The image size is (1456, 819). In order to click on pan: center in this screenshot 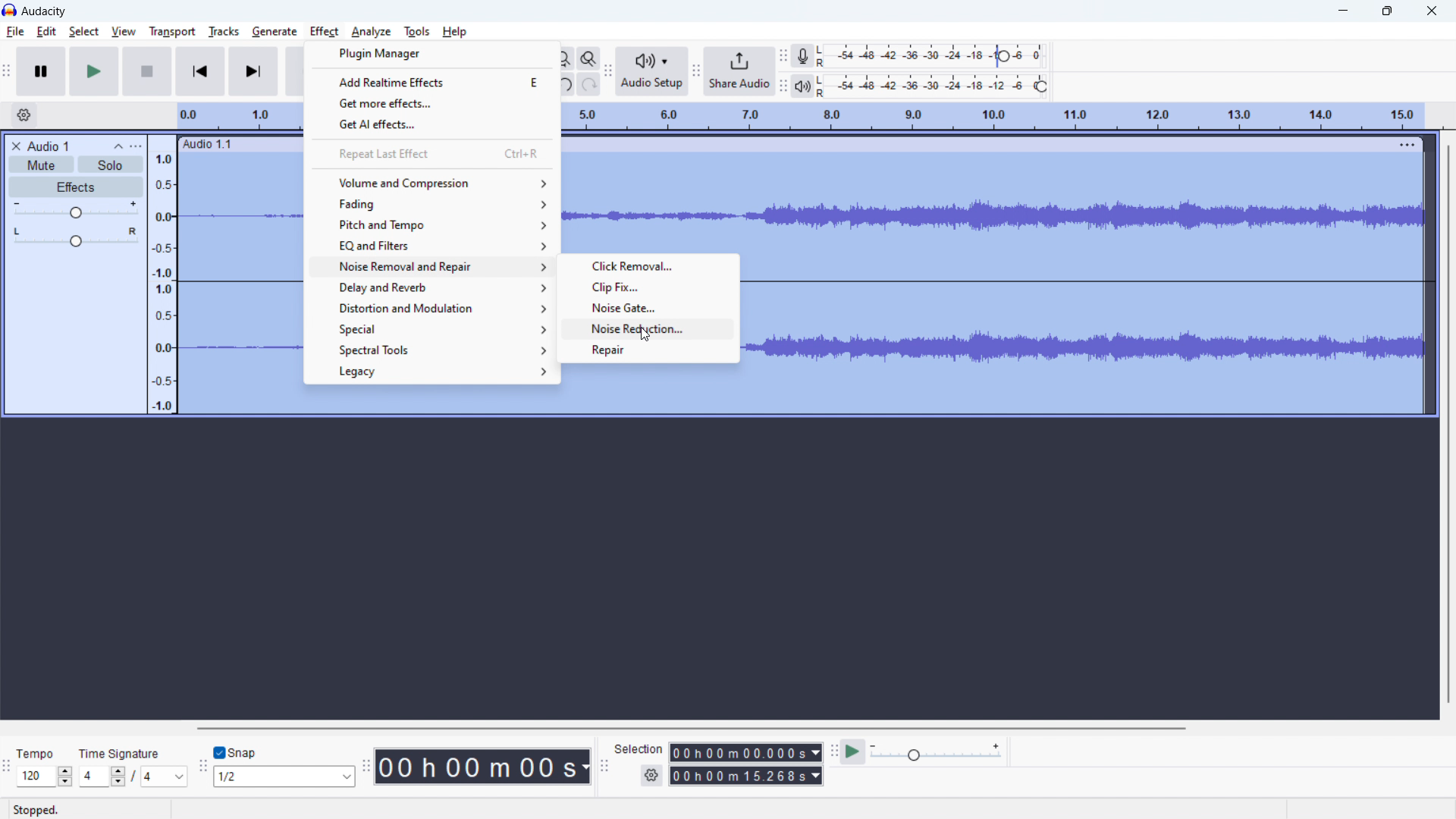, I will do `click(77, 237)`.